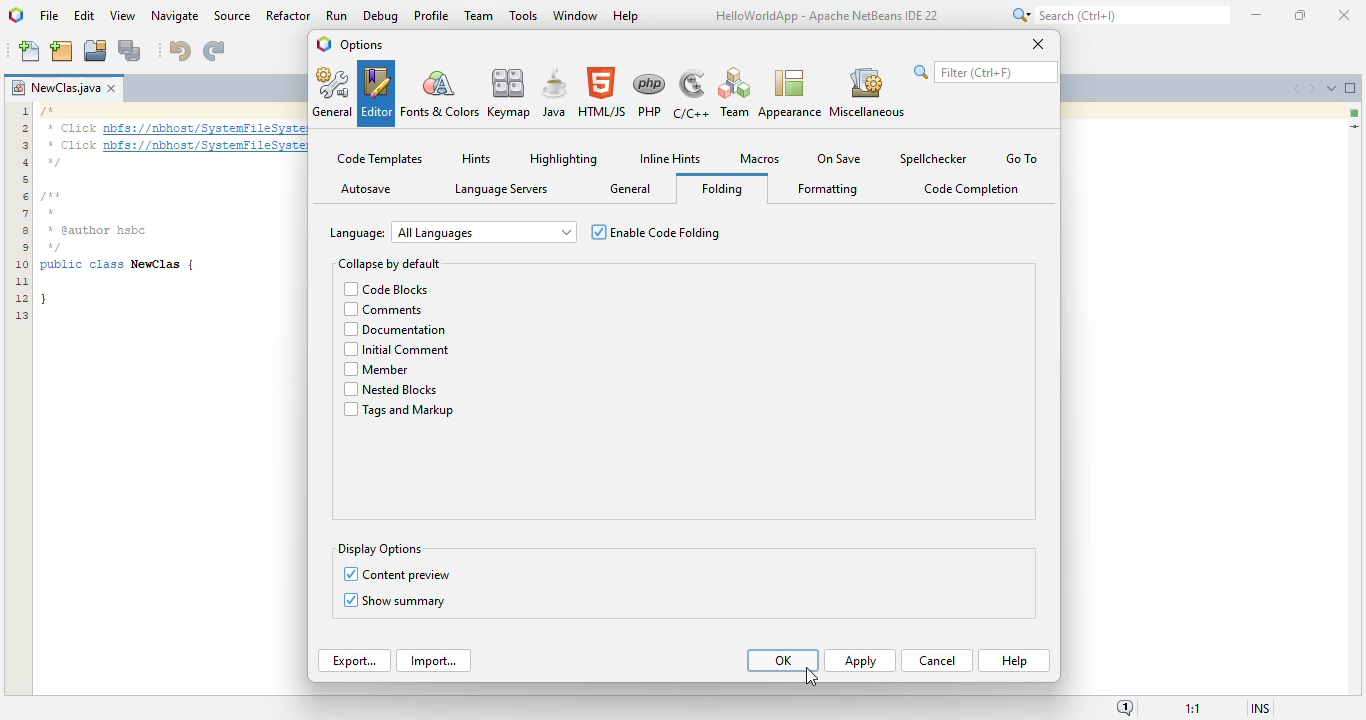 This screenshot has width=1366, height=720. I want to click on export, so click(355, 661).